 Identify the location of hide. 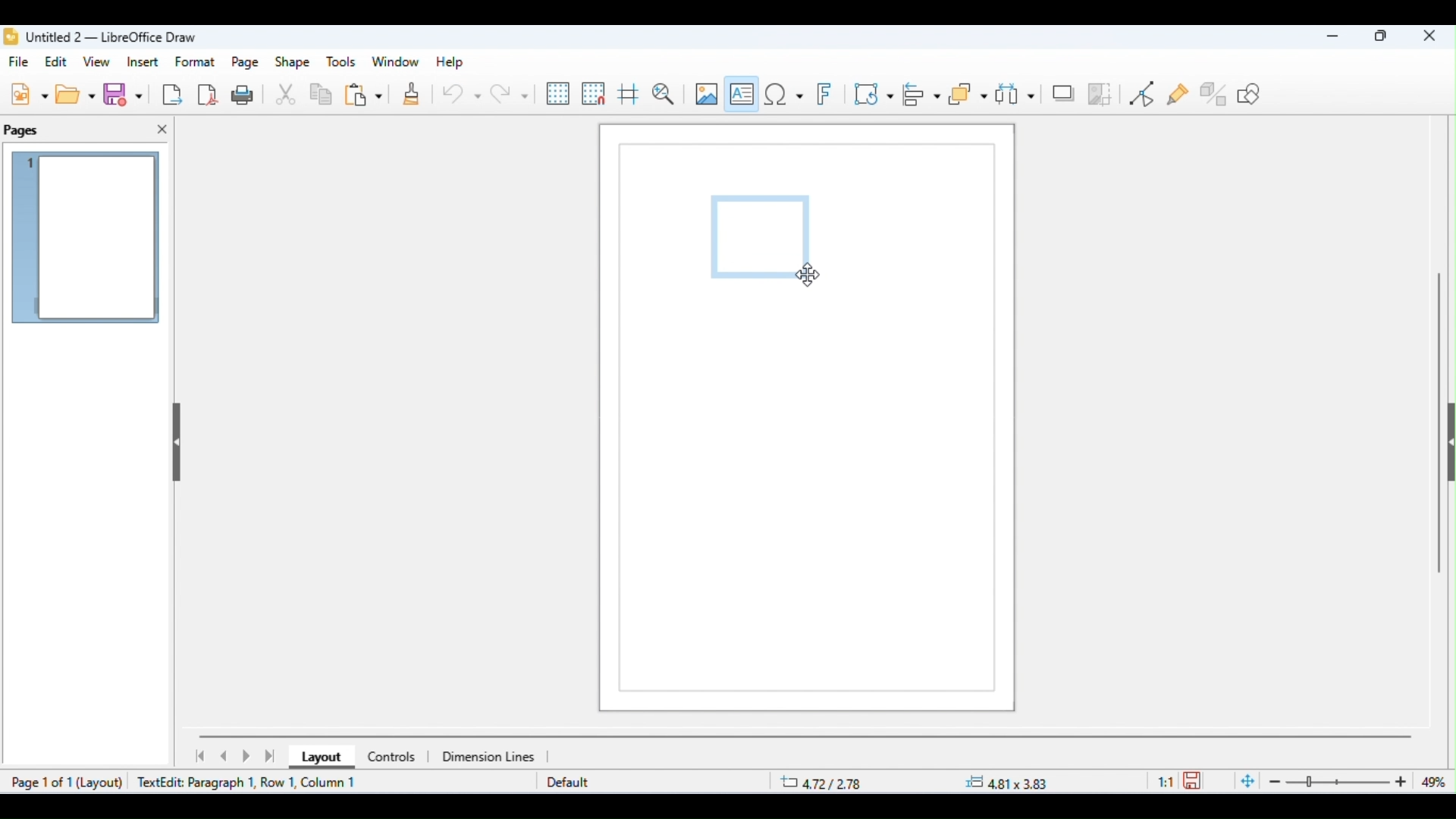
(1447, 446).